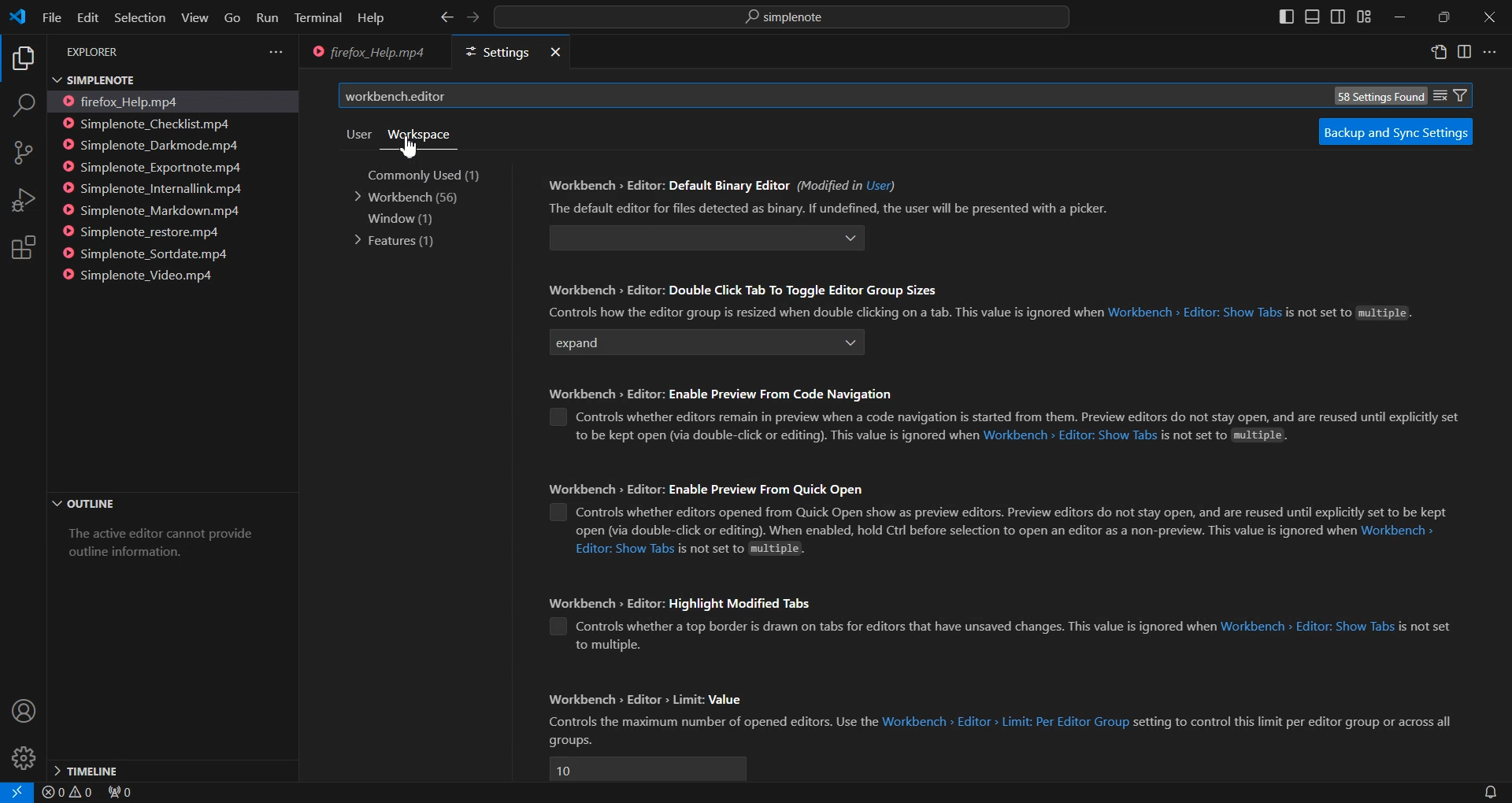 The width and height of the screenshot is (1512, 803). I want to click on to be kept open (via double-click or editing). This value is ignored when, so click(773, 436).